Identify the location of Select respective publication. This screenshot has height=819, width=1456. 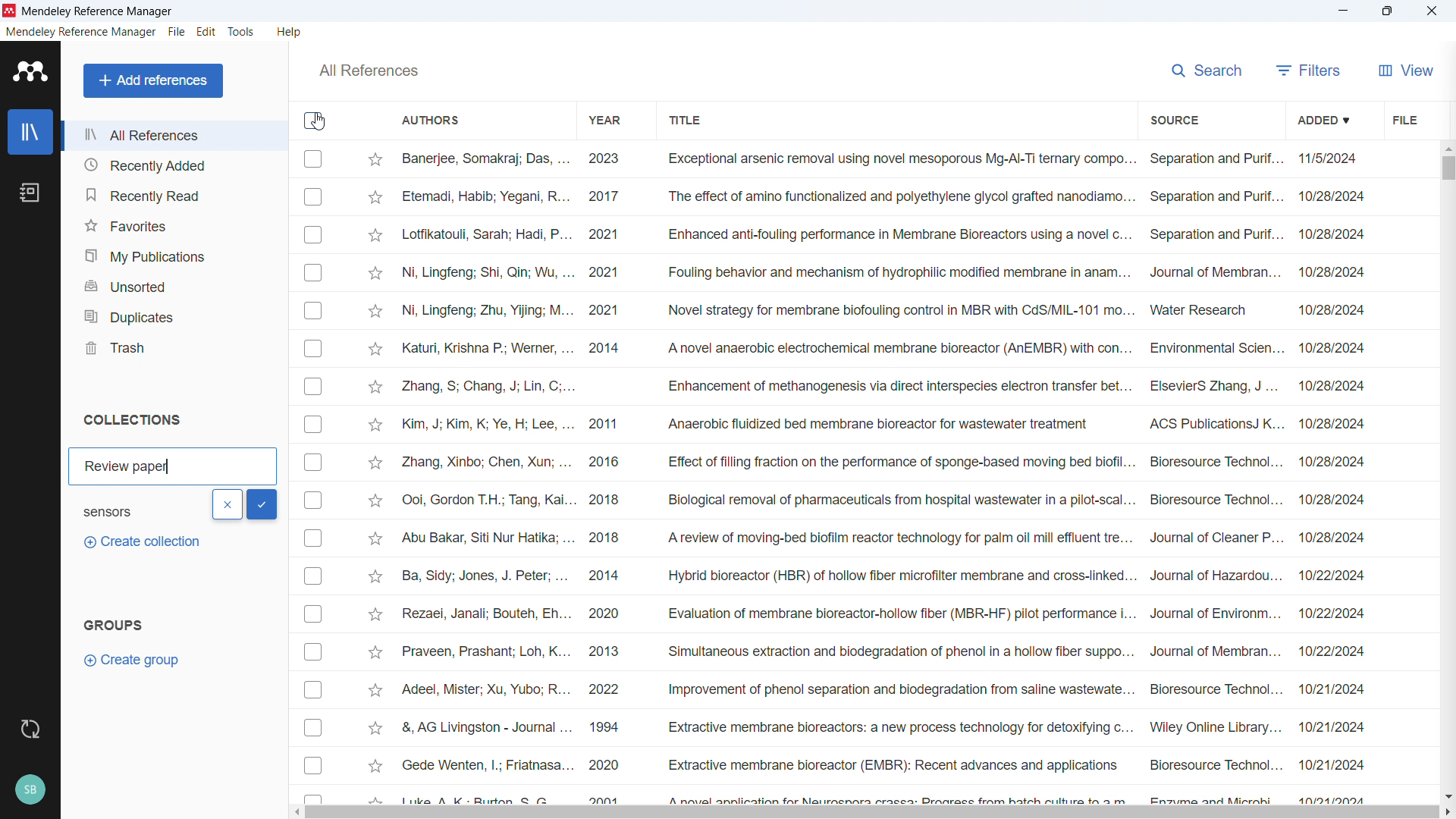
(313, 158).